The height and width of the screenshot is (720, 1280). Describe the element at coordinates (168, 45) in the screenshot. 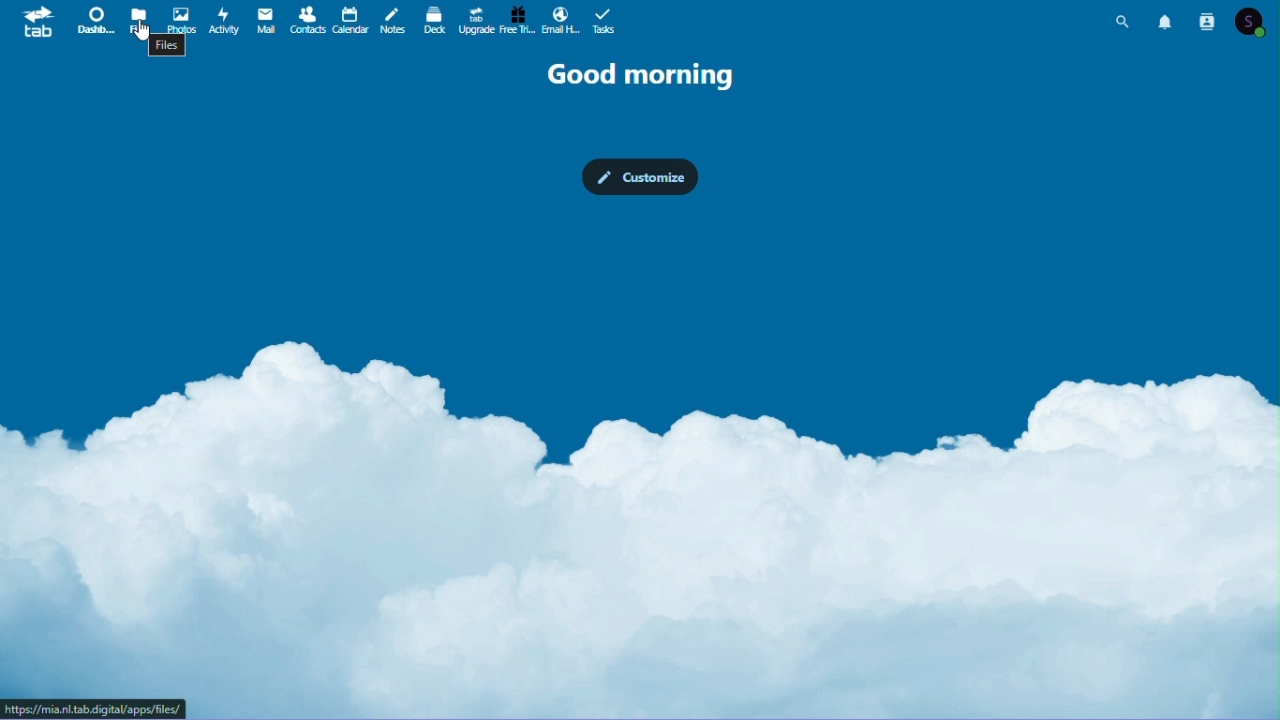

I see `Files` at that location.